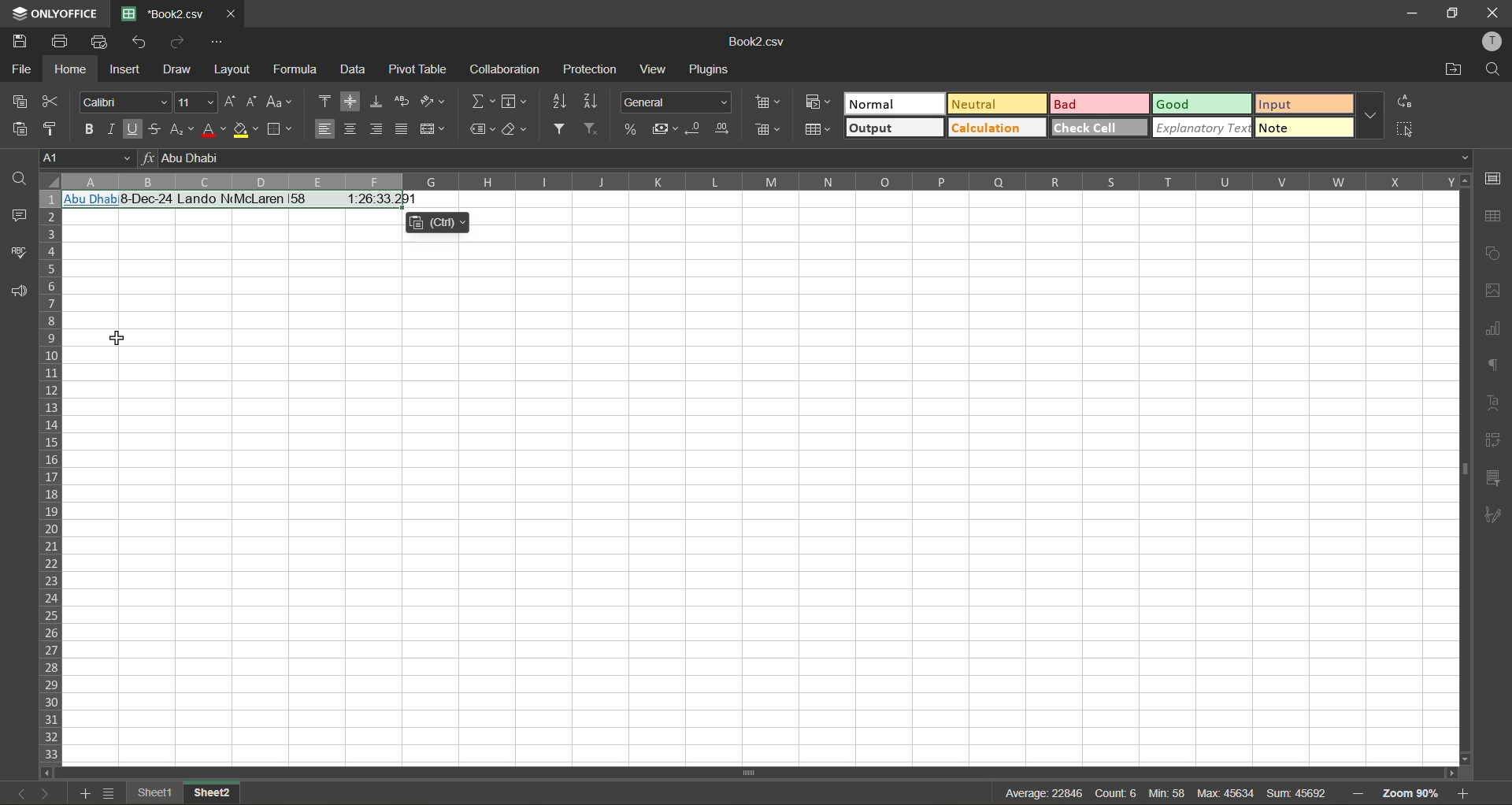  What do you see at coordinates (591, 102) in the screenshot?
I see `sort descending` at bounding box center [591, 102].